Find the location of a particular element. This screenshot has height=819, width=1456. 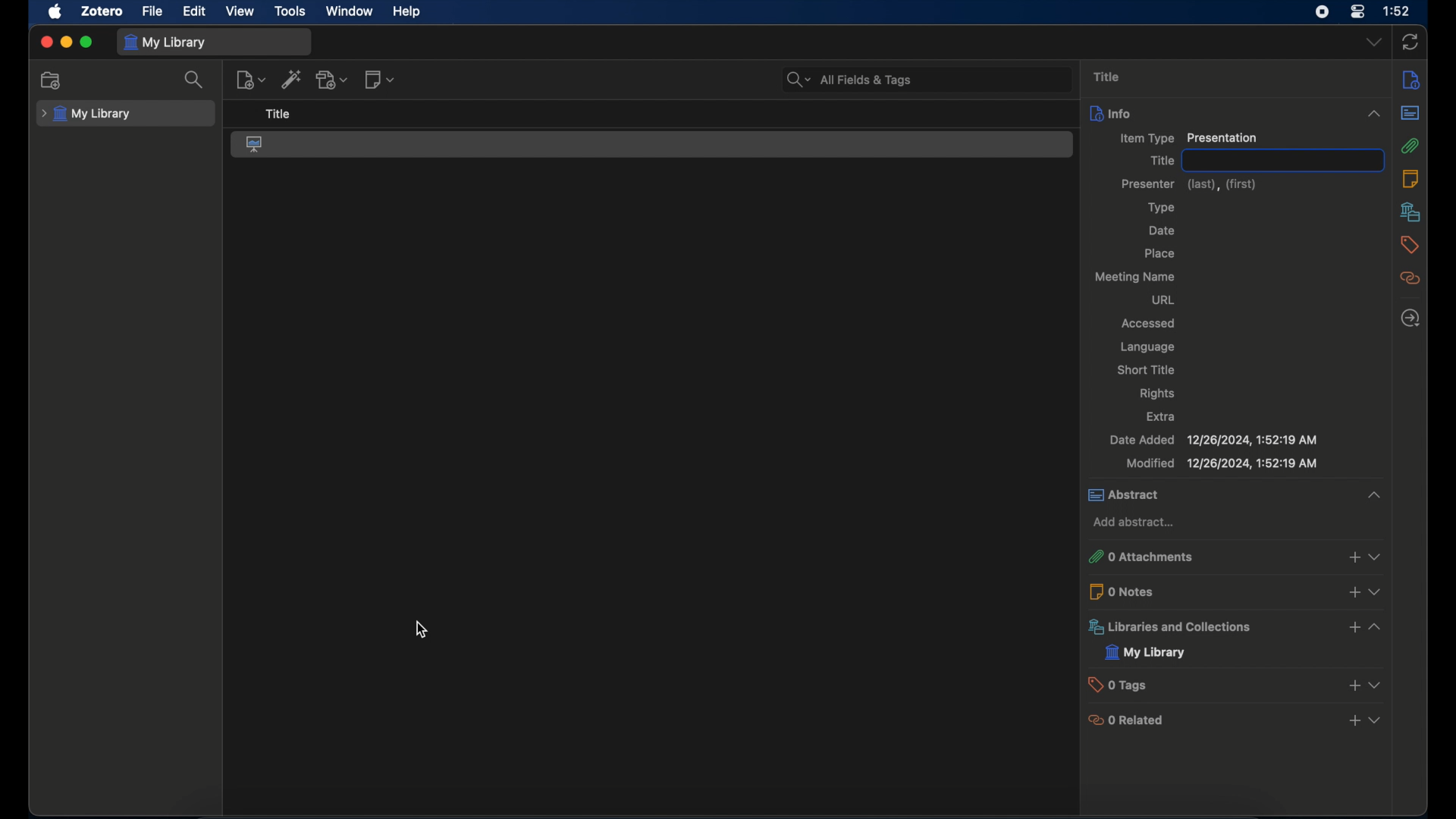

type is located at coordinates (1161, 208).